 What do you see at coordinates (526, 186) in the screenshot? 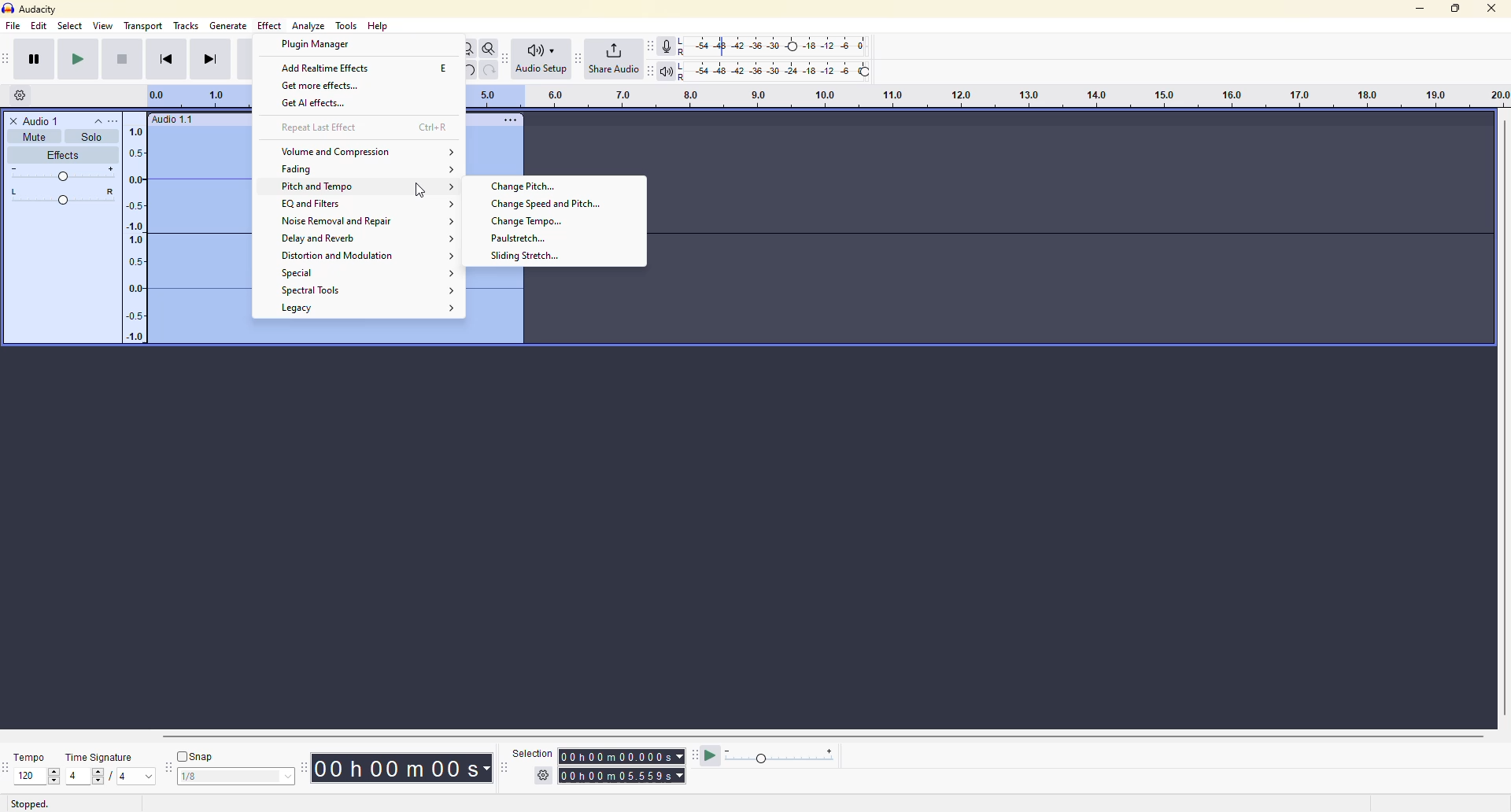
I see `change pitch` at bounding box center [526, 186].